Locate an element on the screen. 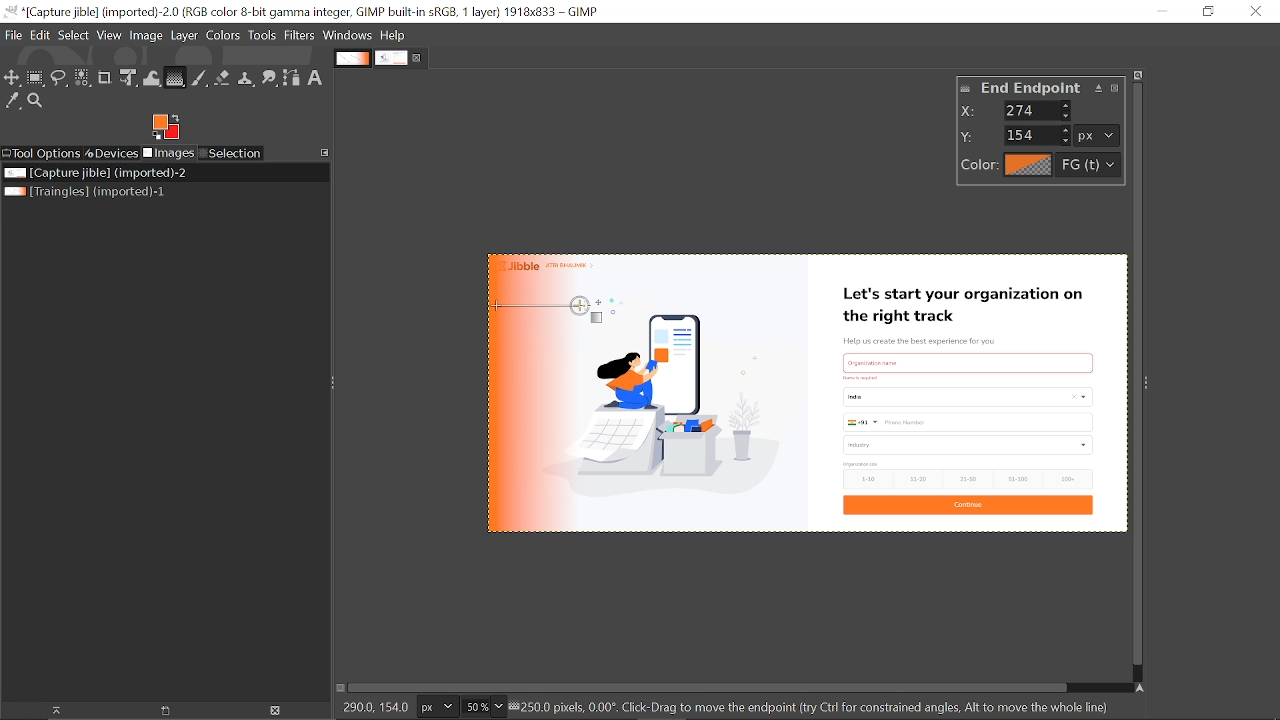 The height and width of the screenshot is (720, 1280). Zoom options is located at coordinates (498, 707).